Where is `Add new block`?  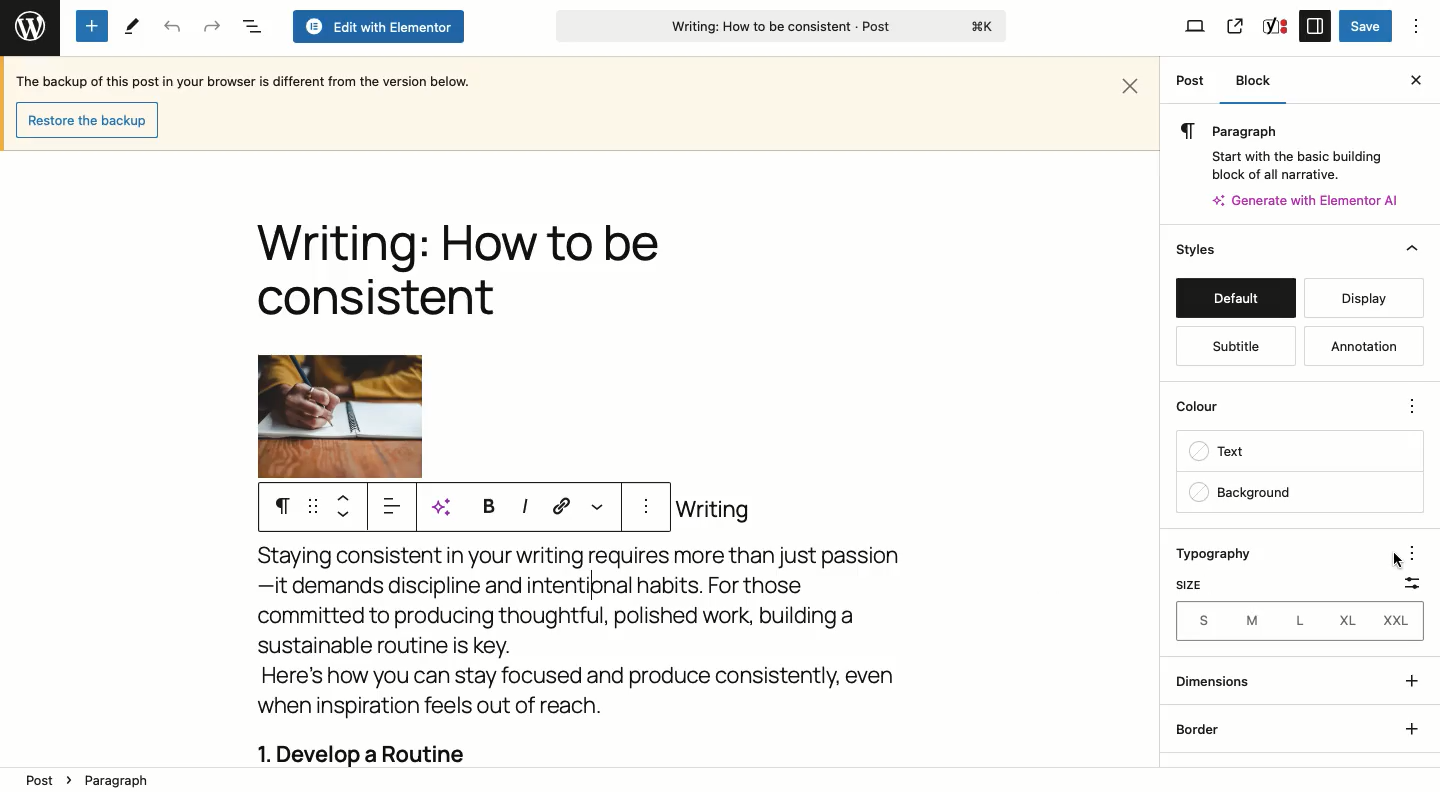 Add new block is located at coordinates (92, 26).